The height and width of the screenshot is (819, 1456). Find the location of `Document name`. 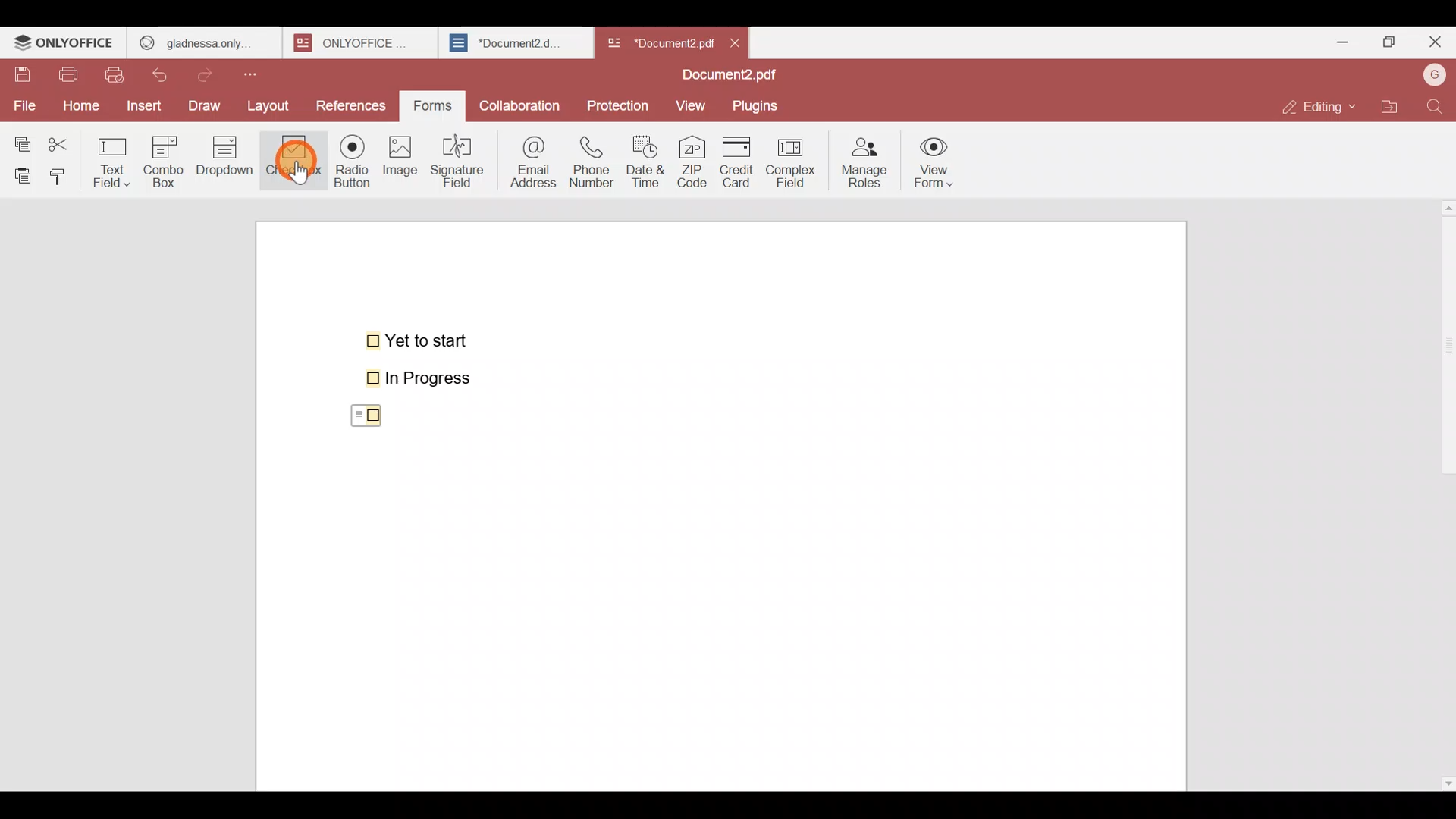

Document name is located at coordinates (659, 39).